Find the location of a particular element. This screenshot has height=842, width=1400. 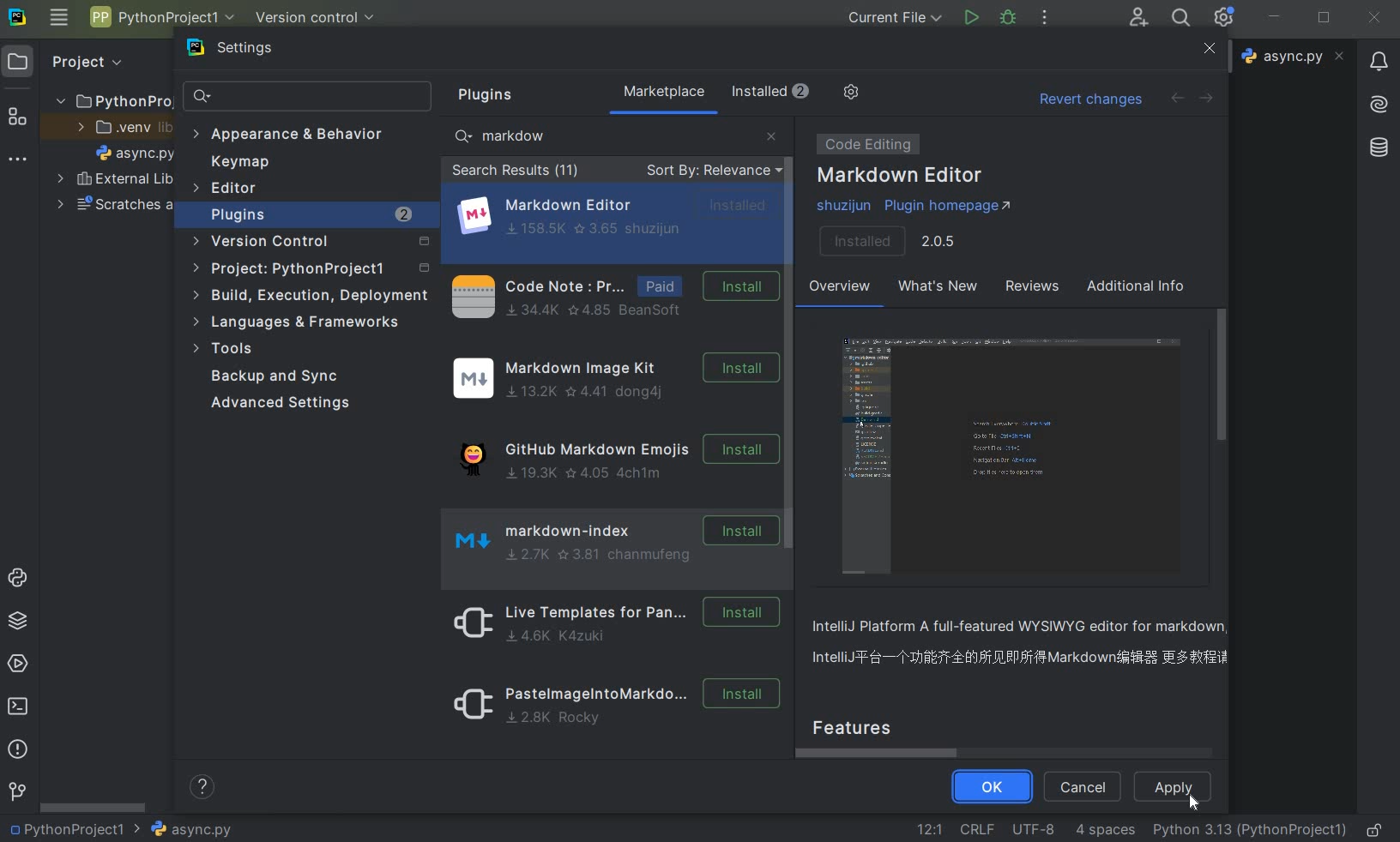

close is located at coordinates (1375, 19).